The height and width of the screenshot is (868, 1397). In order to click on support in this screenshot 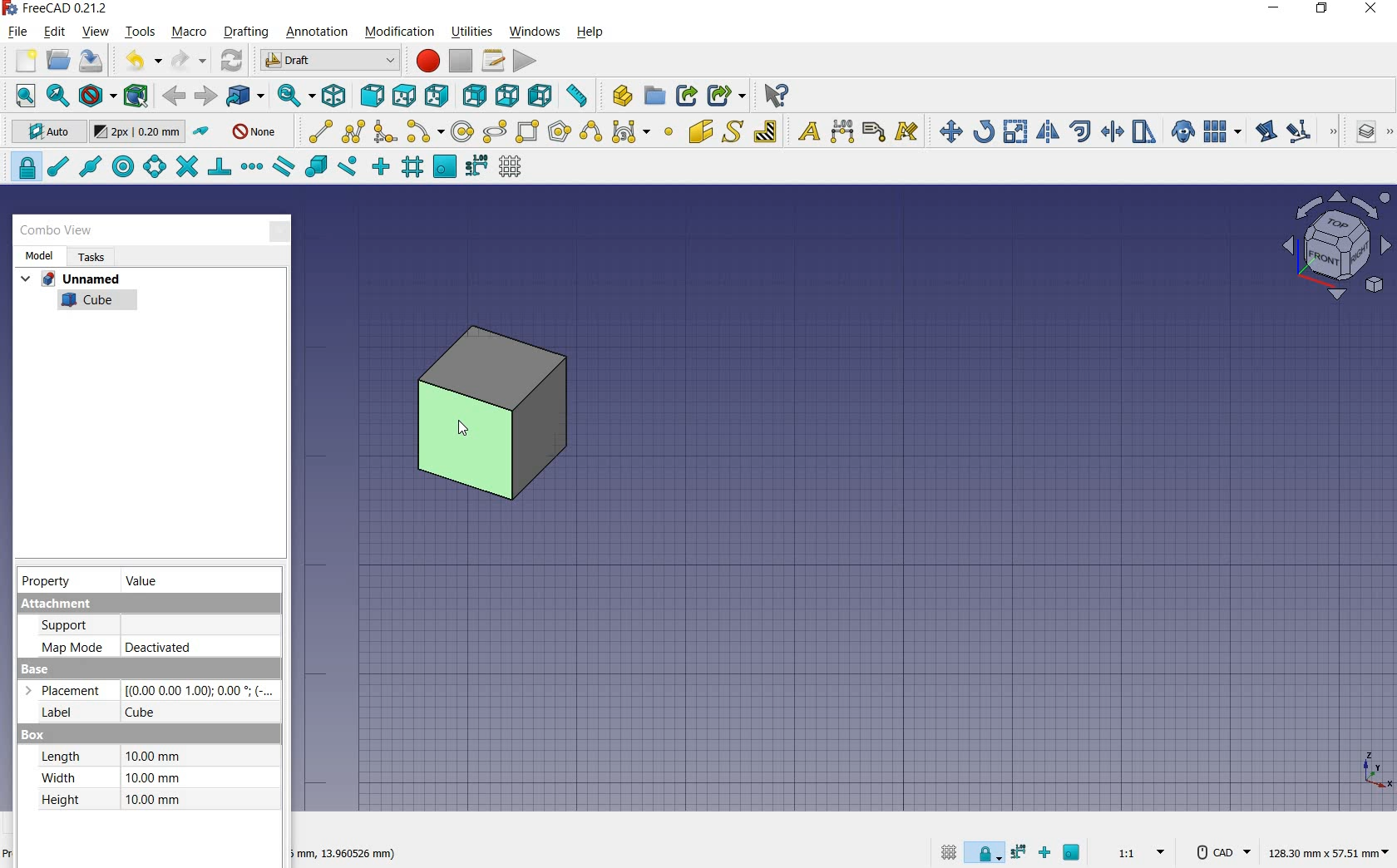, I will do `click(74, 625)`.